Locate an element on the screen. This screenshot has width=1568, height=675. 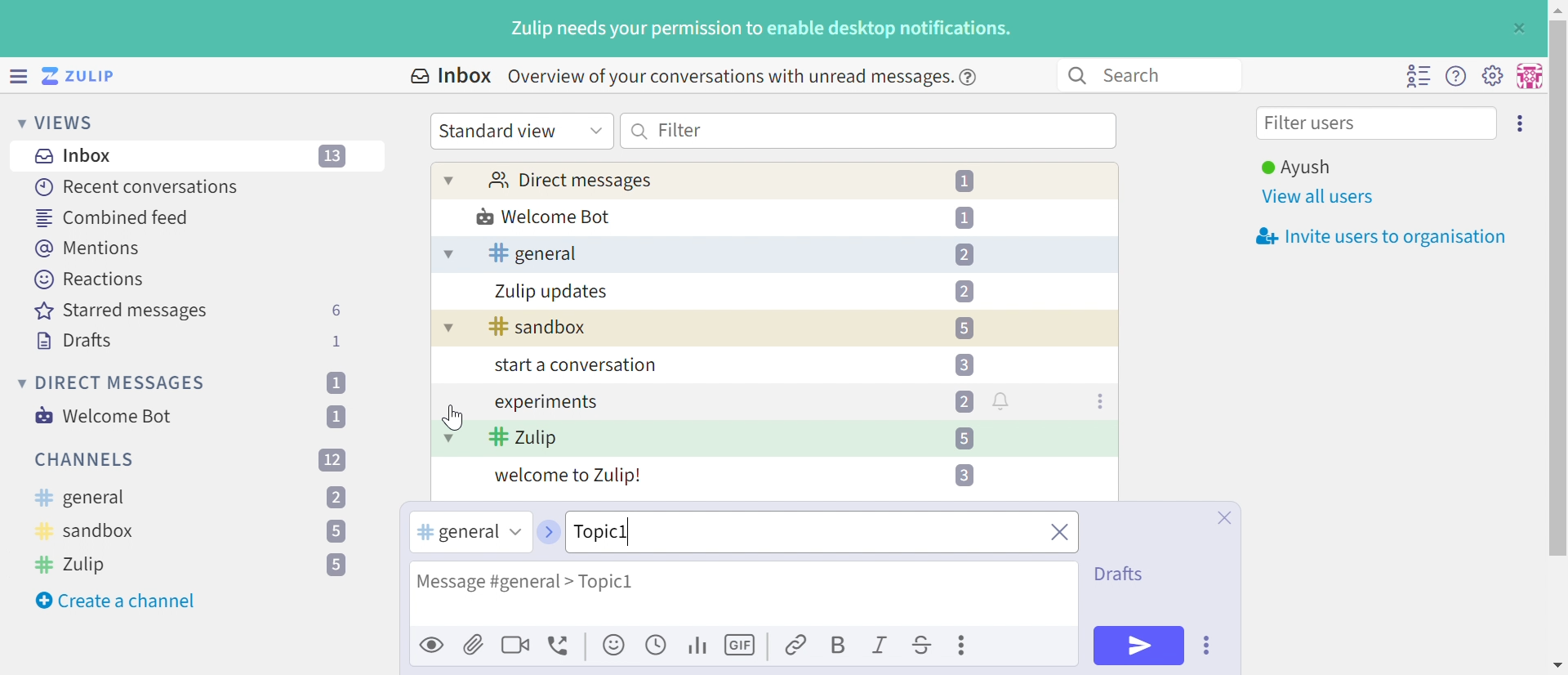
2 is located at coordinates (336, 498).